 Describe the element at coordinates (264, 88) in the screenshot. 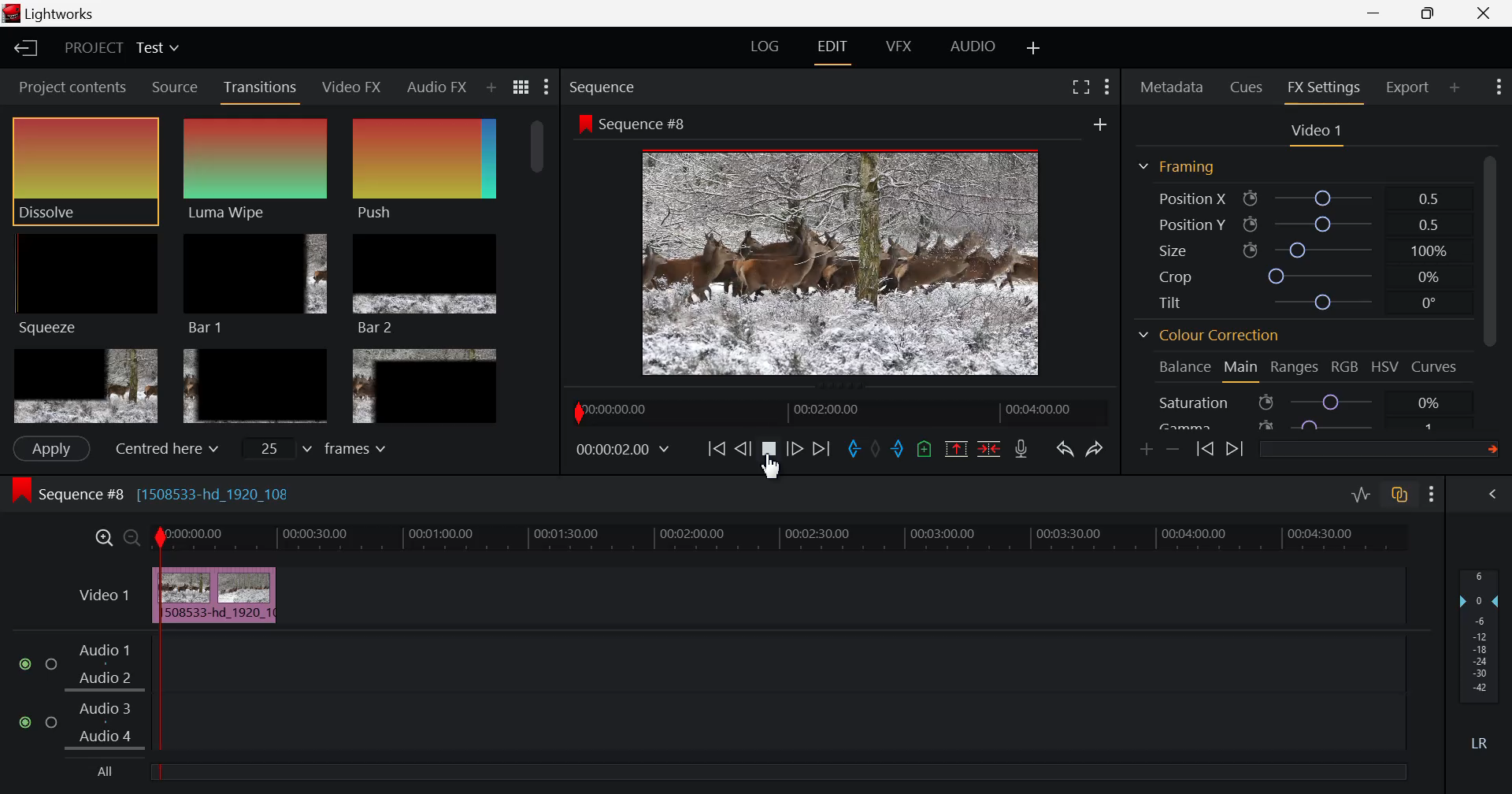

I see `Transitions Tab Open` at that location.